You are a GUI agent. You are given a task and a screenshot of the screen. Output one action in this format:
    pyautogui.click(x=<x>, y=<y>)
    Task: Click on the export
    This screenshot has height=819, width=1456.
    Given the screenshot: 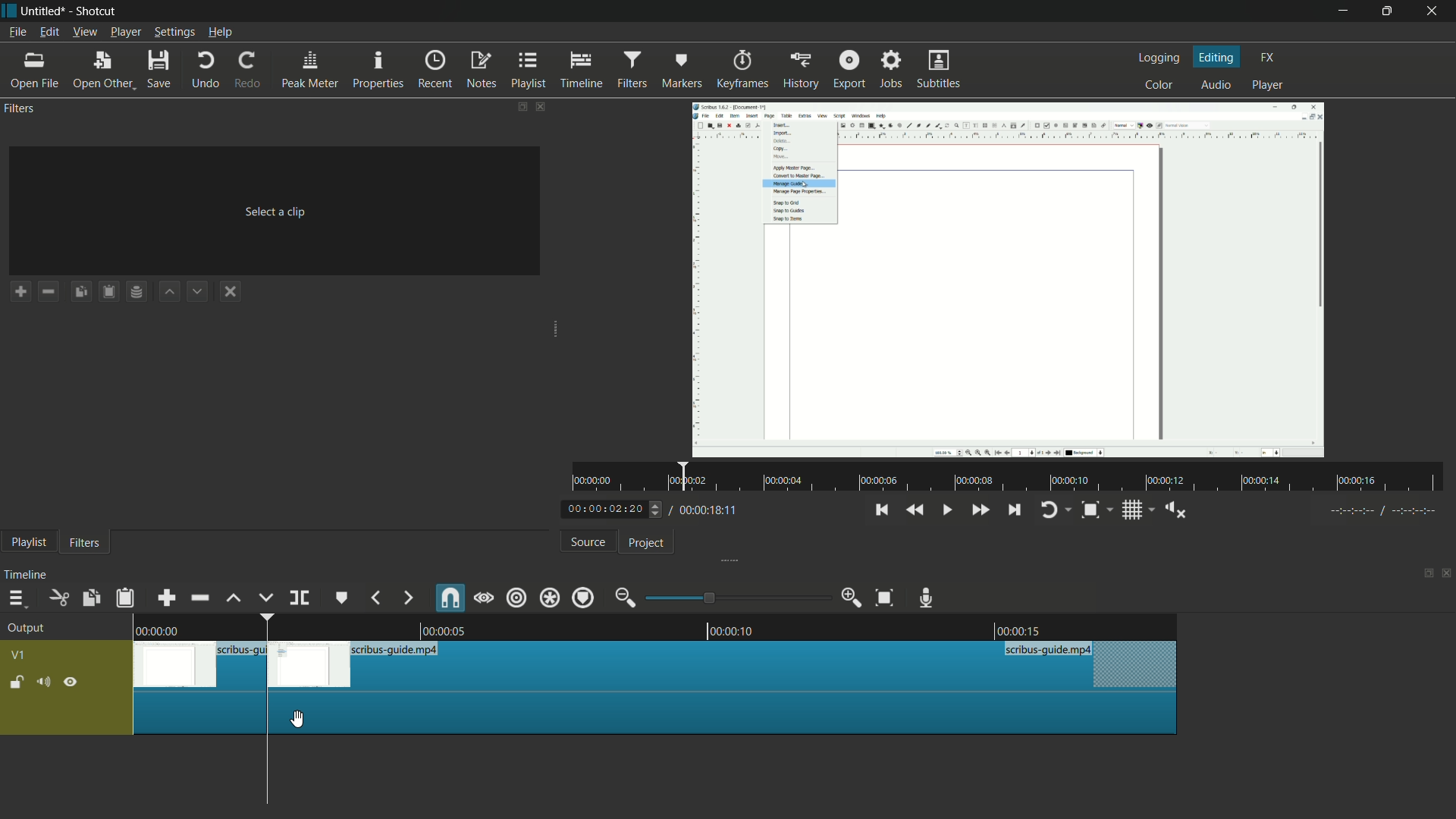 What is the action you would take?
    pyautogui.click(x=849, y=71)
    